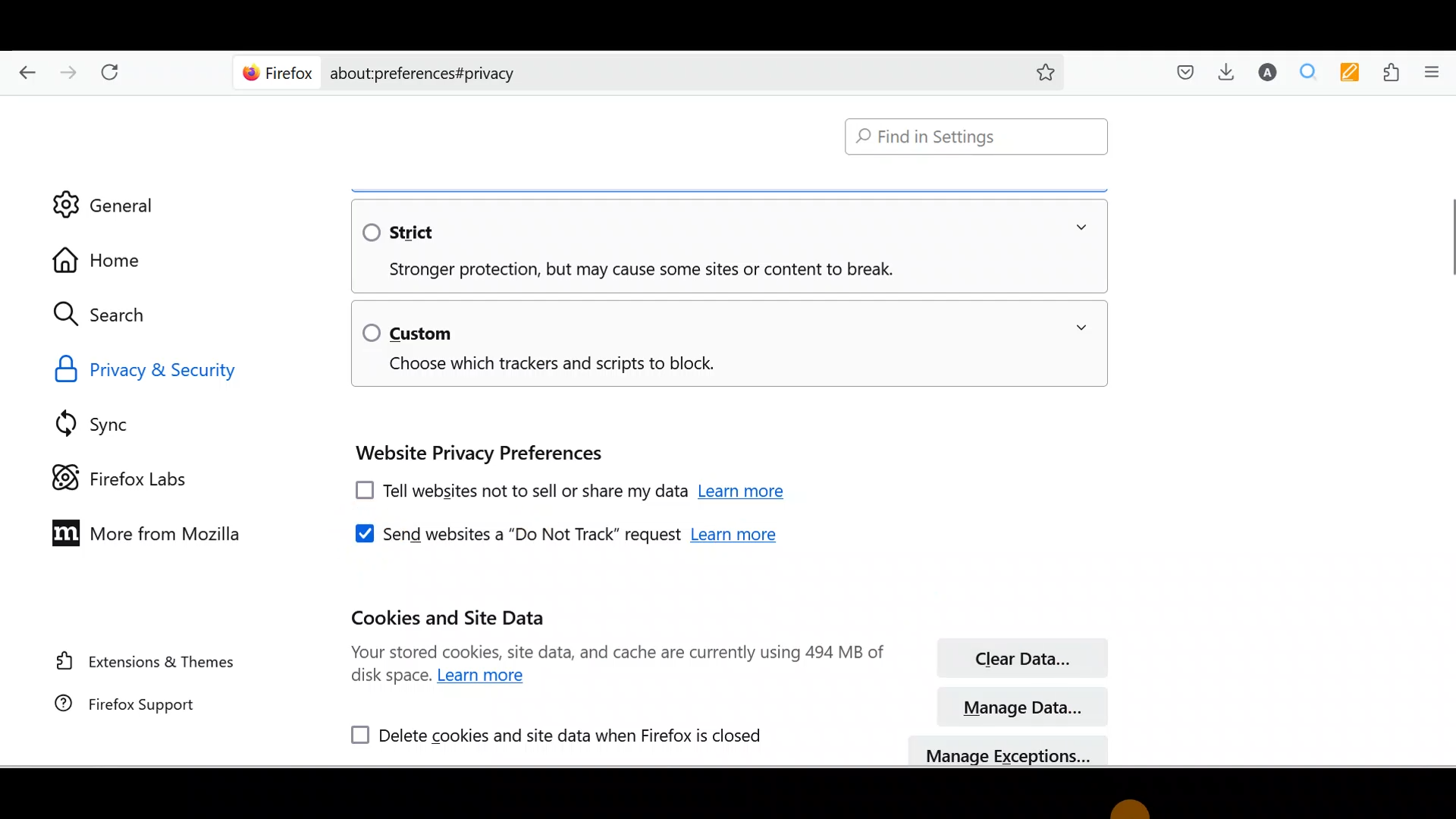 The image size is (1456, 819). Describe the element at coordinates (124, 201) in the screenshot. I see `General` at that location.